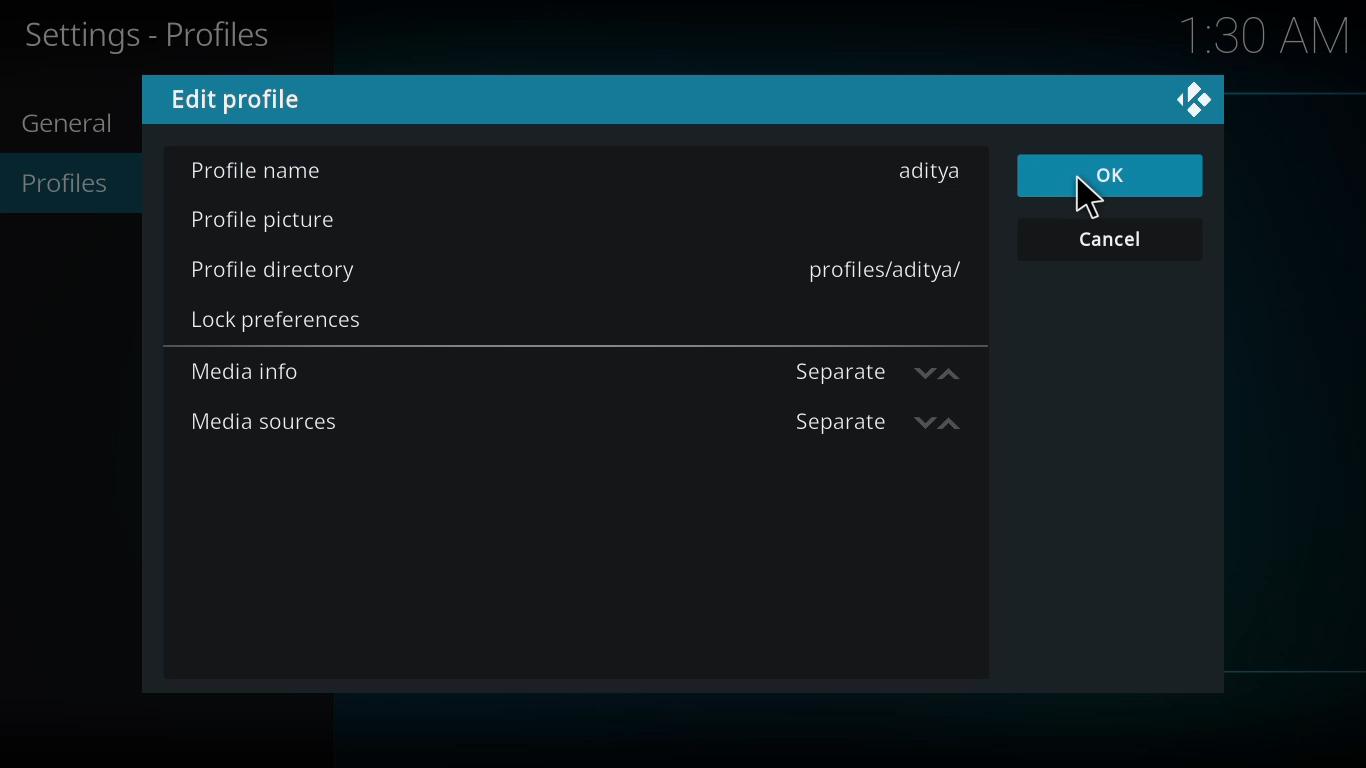 The image size is (1366, 768). What do you see at coordinates (957, 425) in the screenshot?
I see `navigation` at bounding box center [957, 425].